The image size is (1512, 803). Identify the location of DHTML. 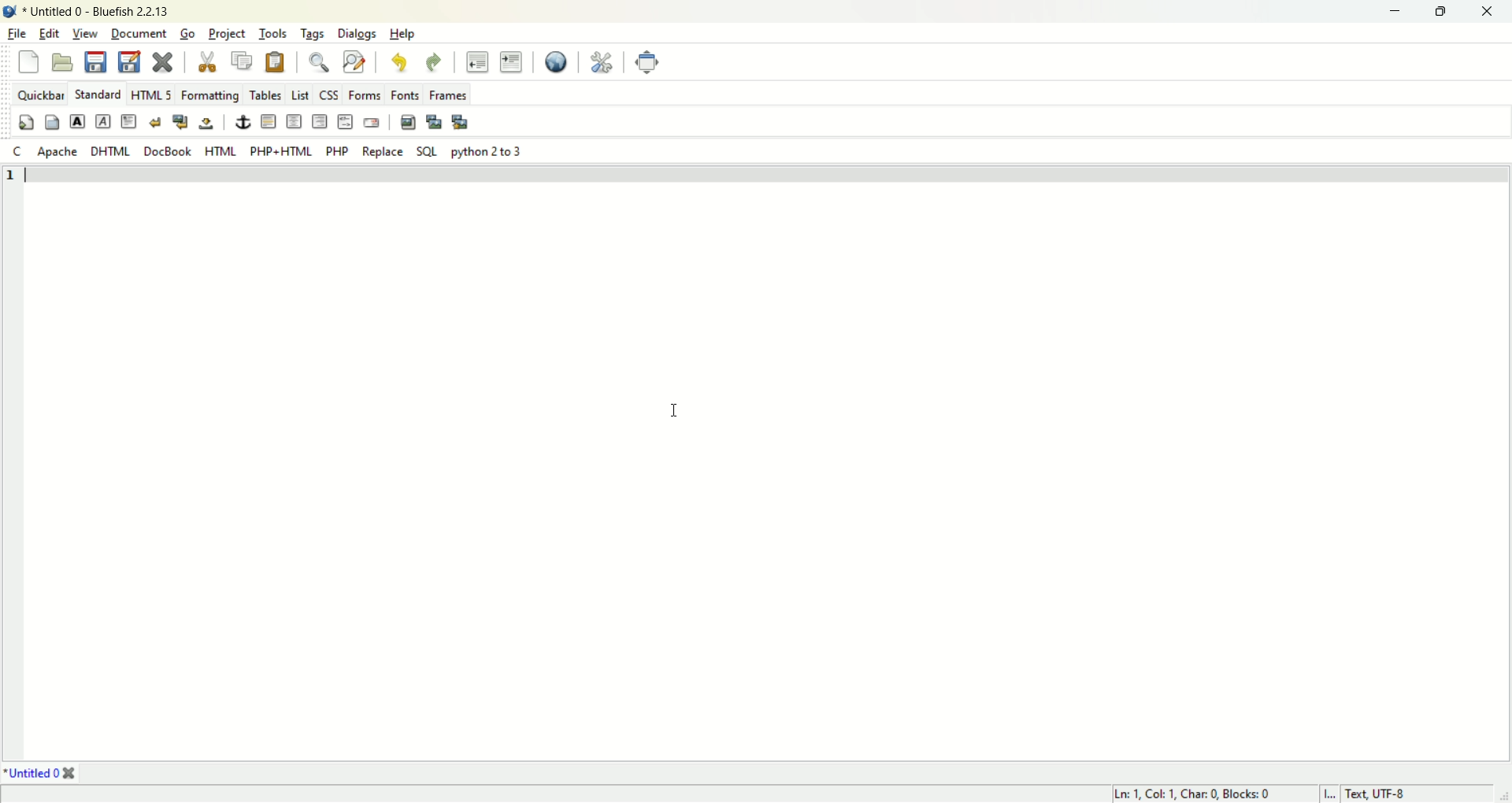
(112, 152).